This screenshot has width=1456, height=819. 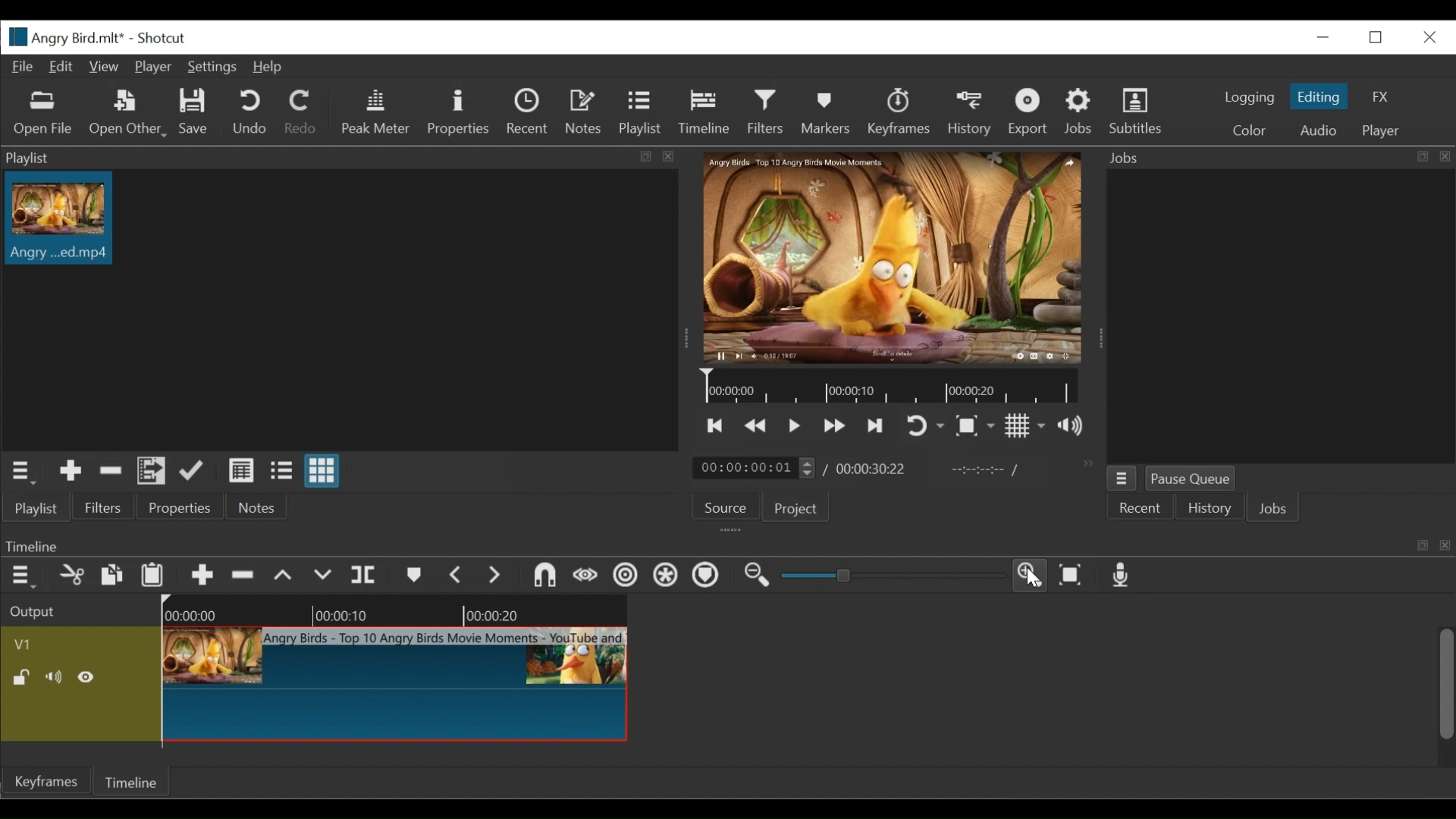 I want to click on Cursor, so click(x=1038, y=579).